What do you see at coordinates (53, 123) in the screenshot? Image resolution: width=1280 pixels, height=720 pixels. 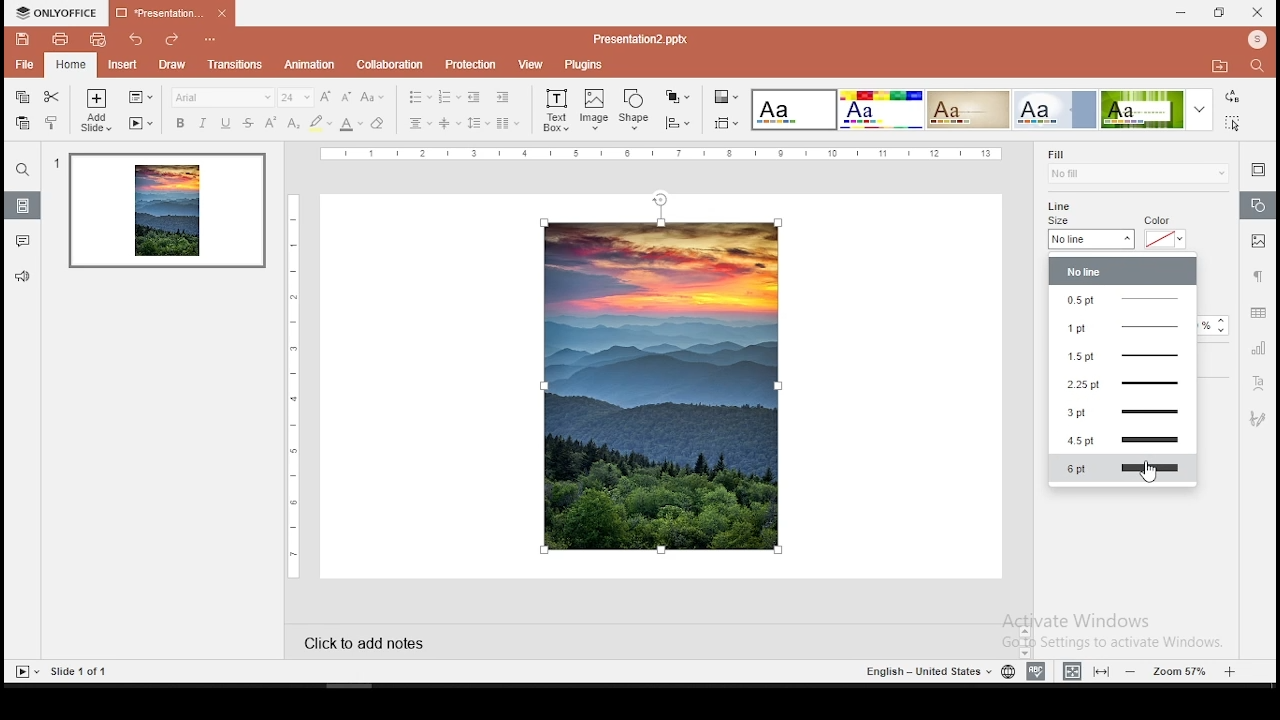 I see `clone formatting` at bounding box center [53, 123].